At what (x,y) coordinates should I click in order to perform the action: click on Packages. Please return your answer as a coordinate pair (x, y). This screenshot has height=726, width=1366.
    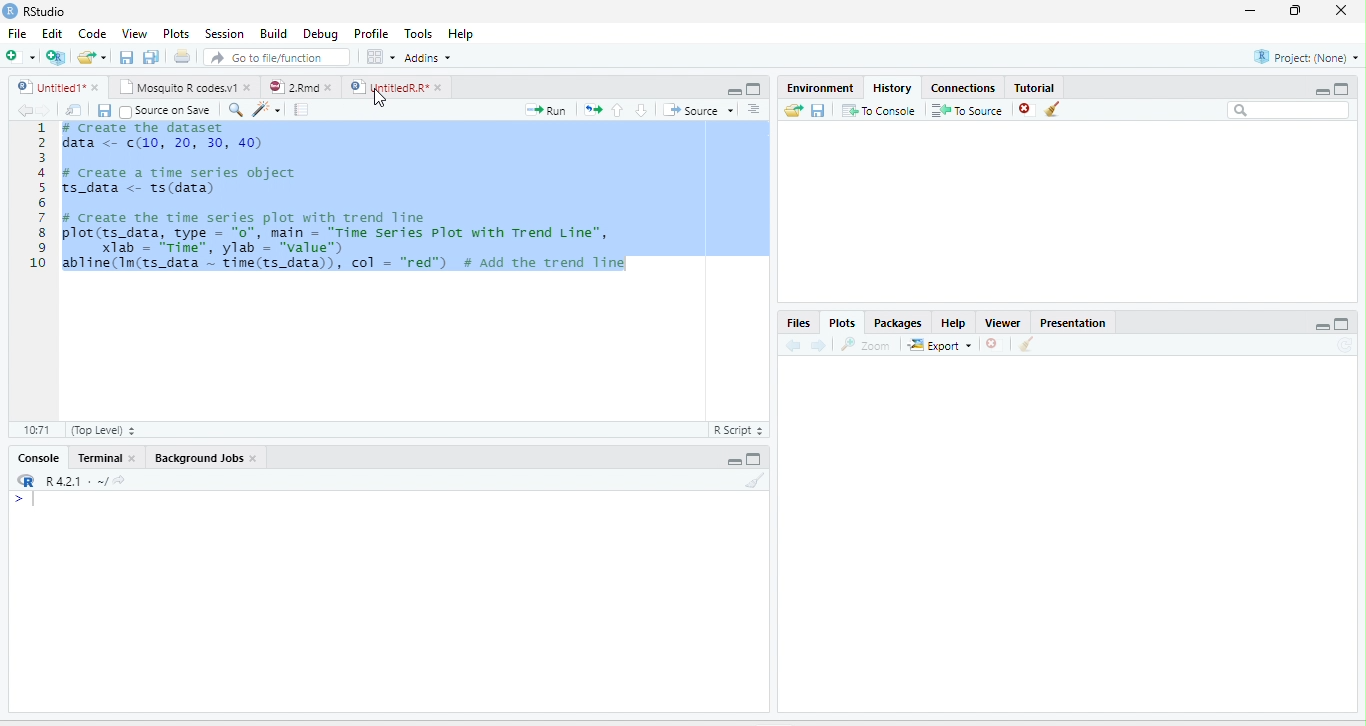
    Looking at the image, I should click on (897, 322).